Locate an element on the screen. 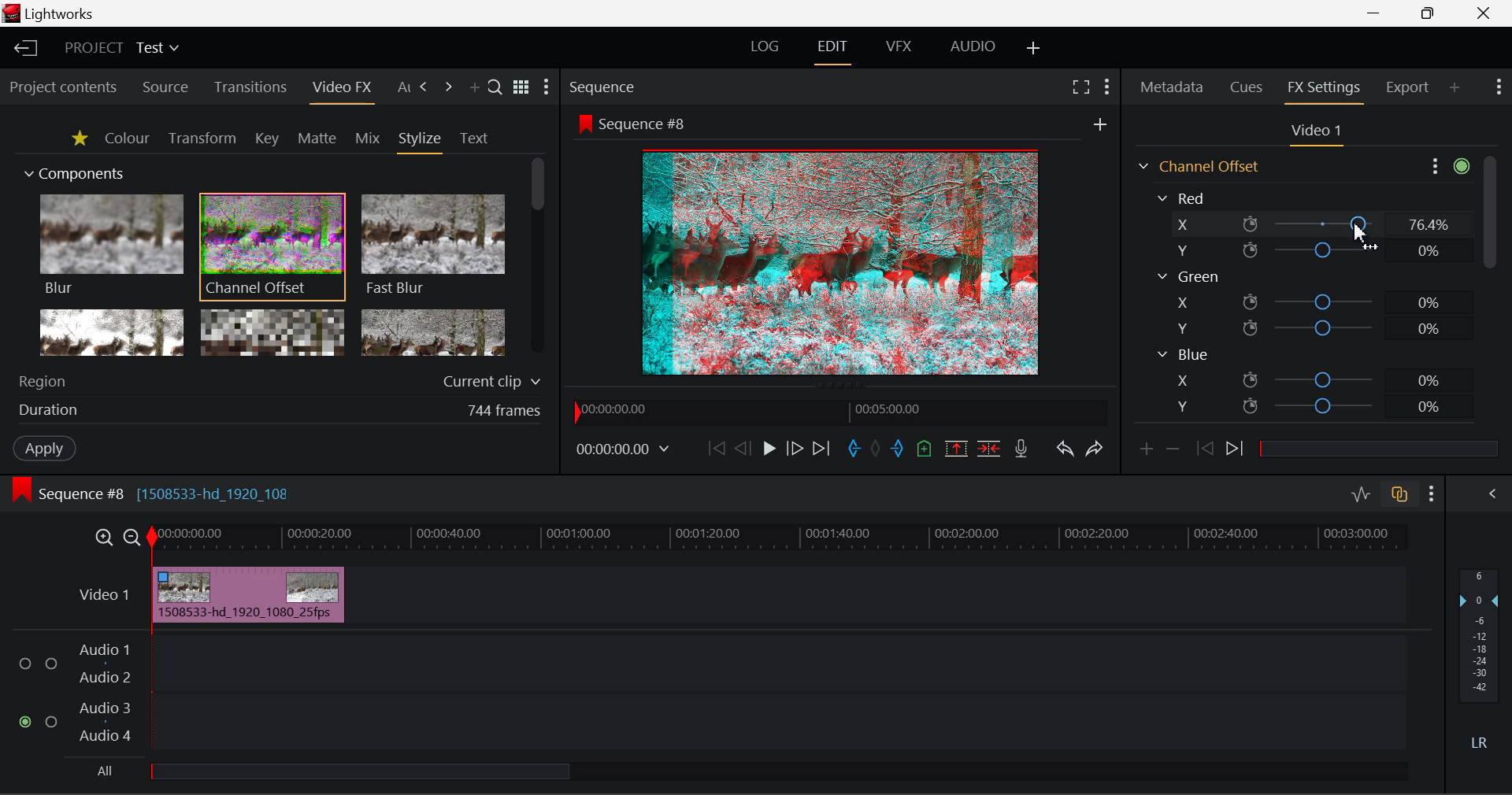 Image resolution: width=1512 pixels, height=795 pixels. Green is located at coordinates (1188, 276).